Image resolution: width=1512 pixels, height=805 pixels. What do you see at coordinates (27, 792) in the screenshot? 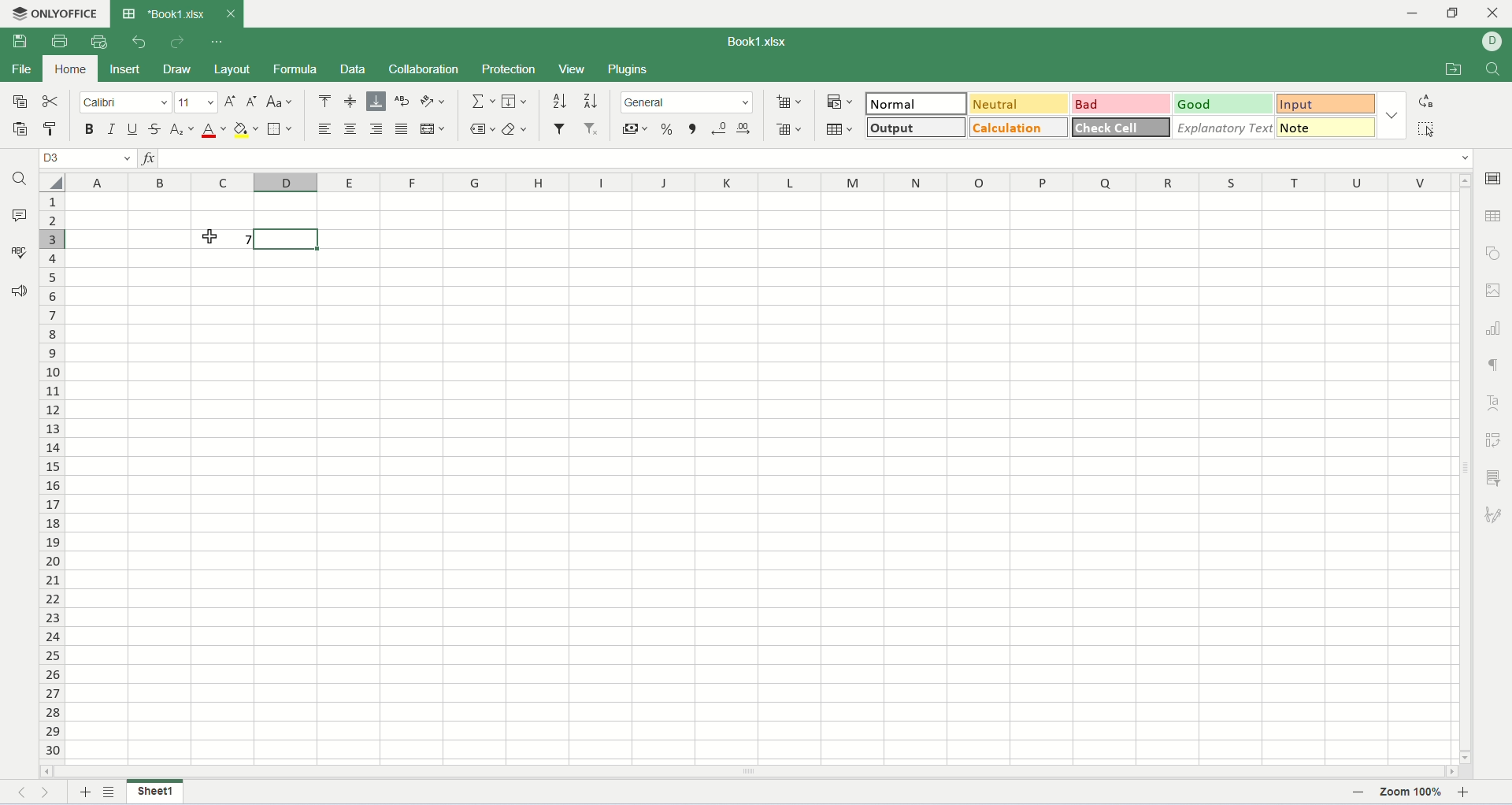
I see `previous` at bounding box center [27, 792].